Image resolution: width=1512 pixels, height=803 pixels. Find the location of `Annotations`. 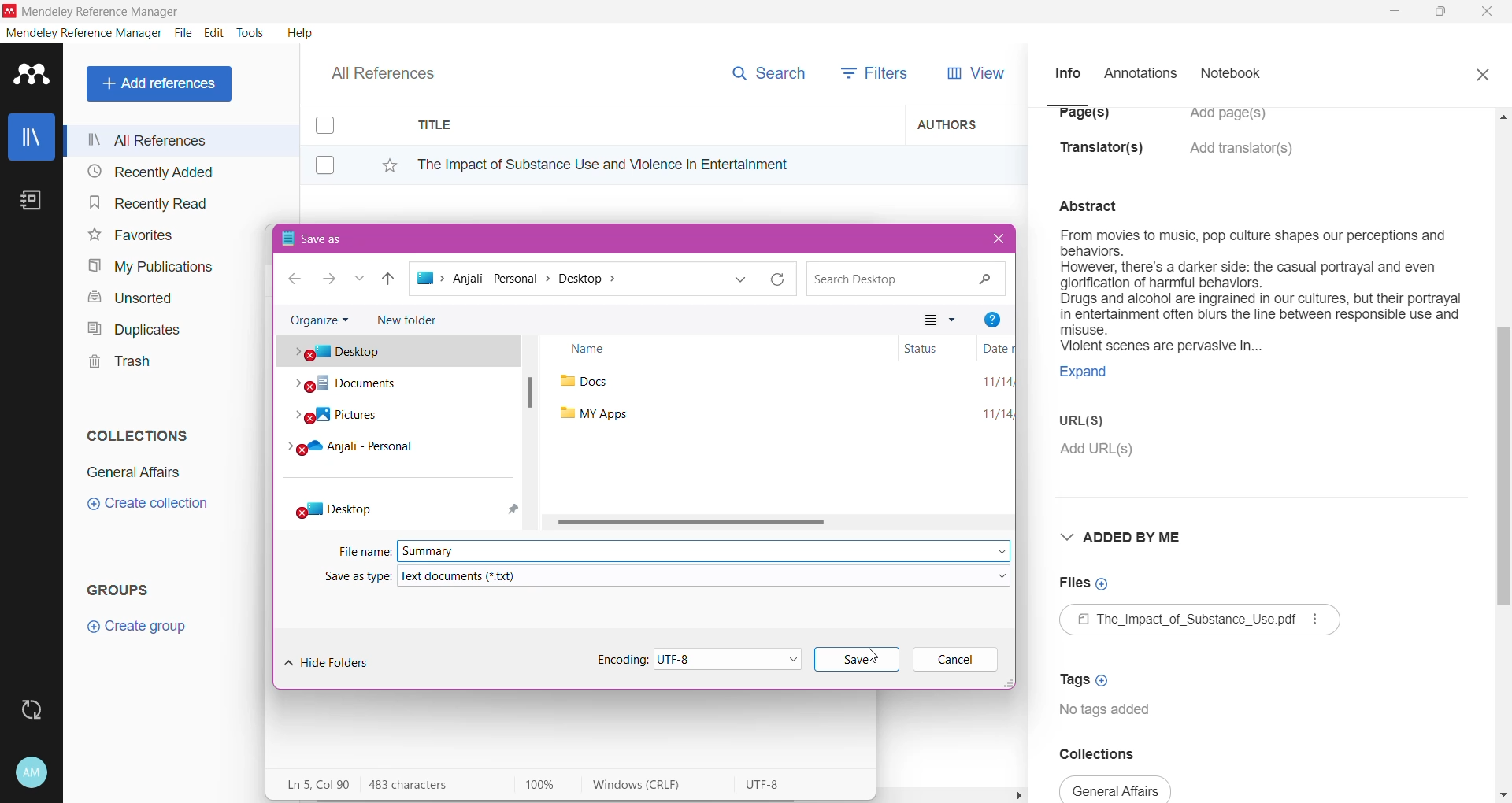

Annotations is located at coordinates (1139, 74).